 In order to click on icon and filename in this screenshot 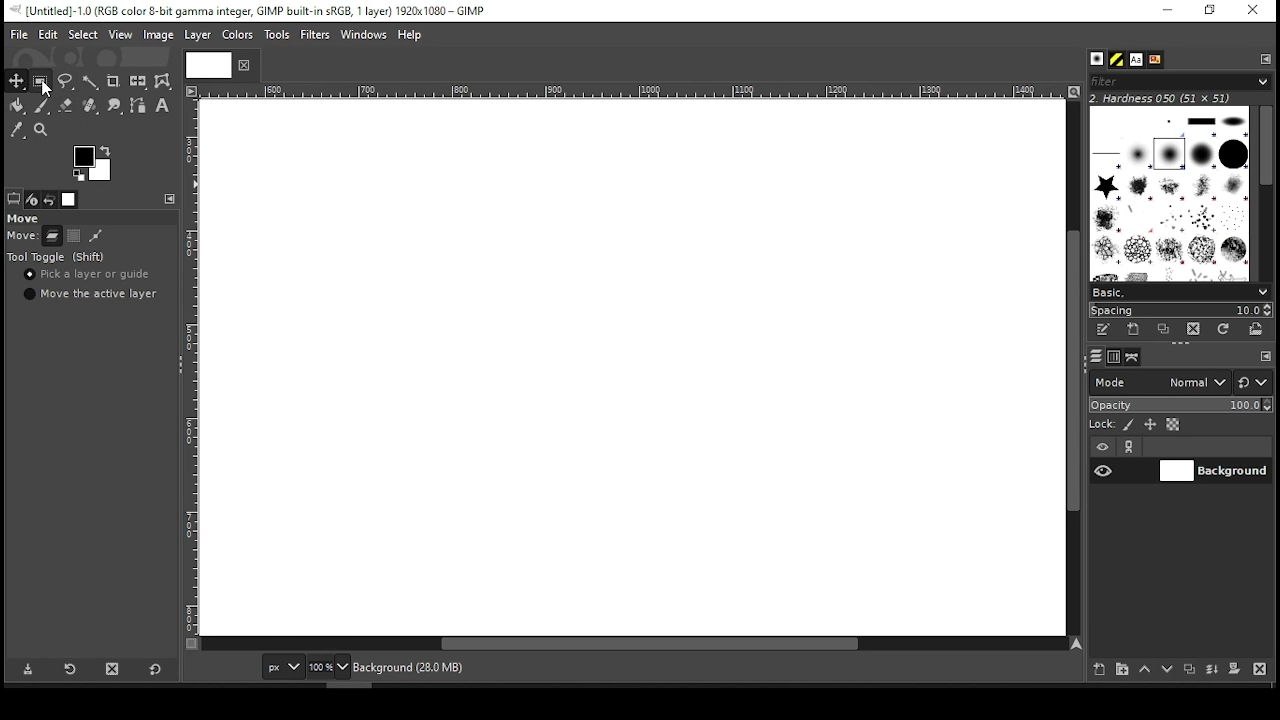, I will do `click(252, 9)`.